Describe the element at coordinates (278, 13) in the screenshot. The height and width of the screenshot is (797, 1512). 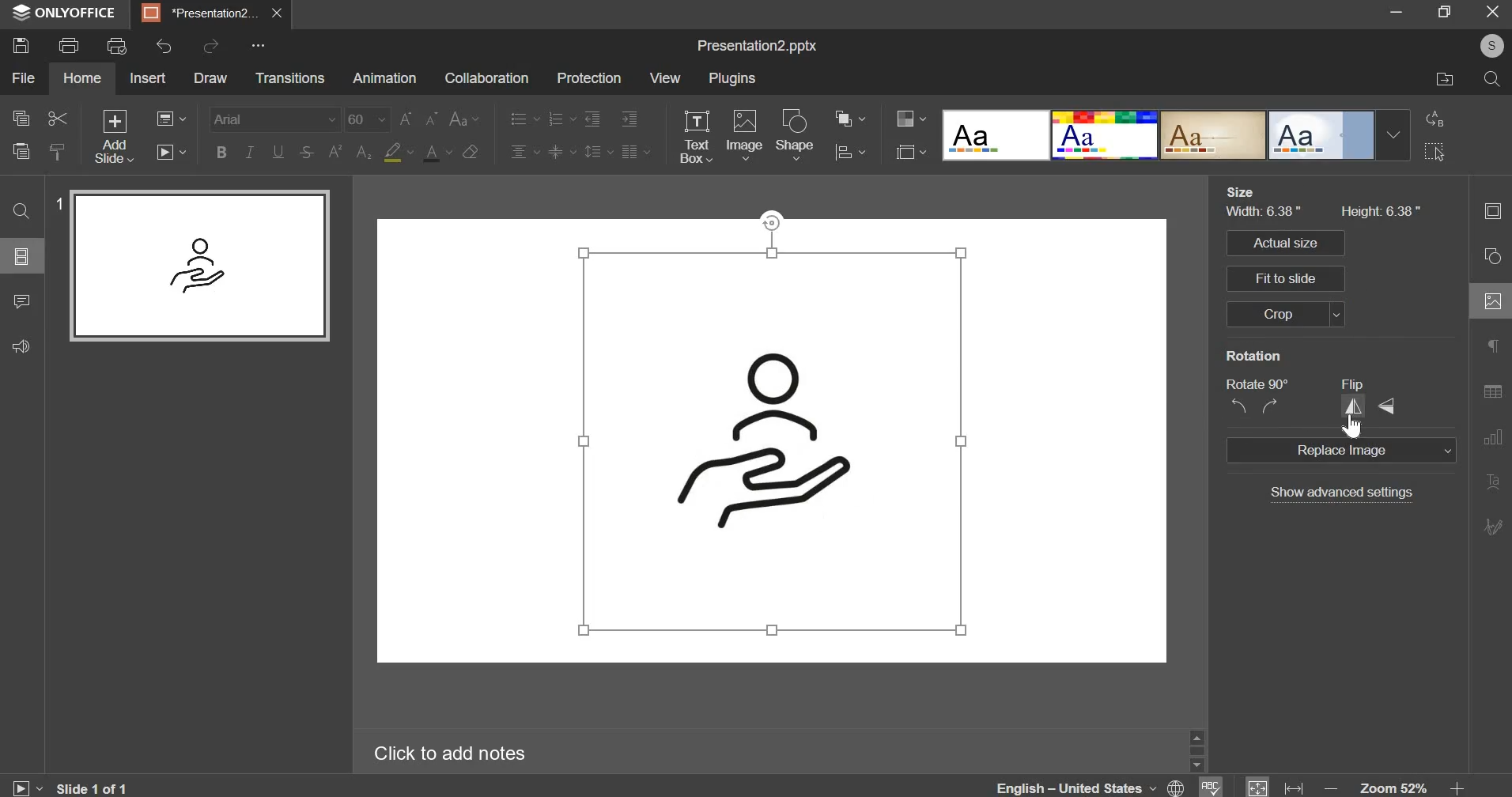
I see `close presentation` at that location.